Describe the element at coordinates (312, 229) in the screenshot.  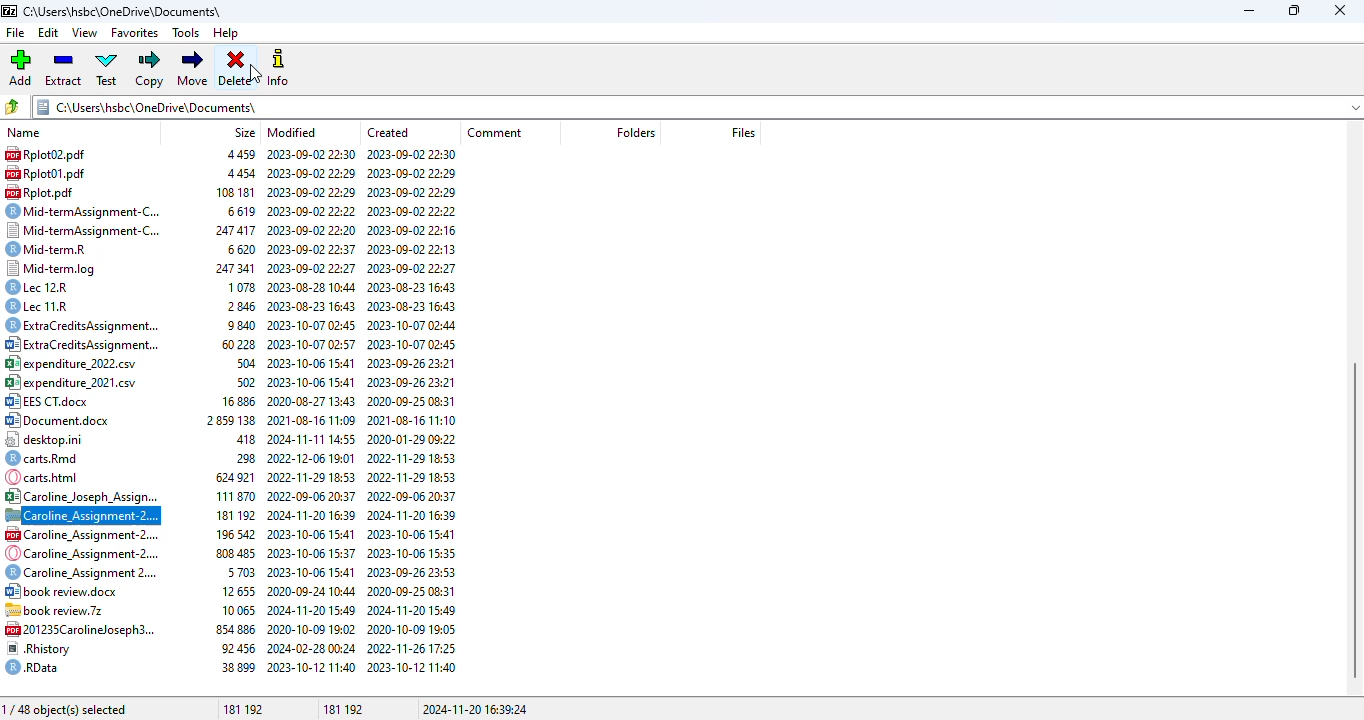
I see `2023-09-02 22:20` at that location.